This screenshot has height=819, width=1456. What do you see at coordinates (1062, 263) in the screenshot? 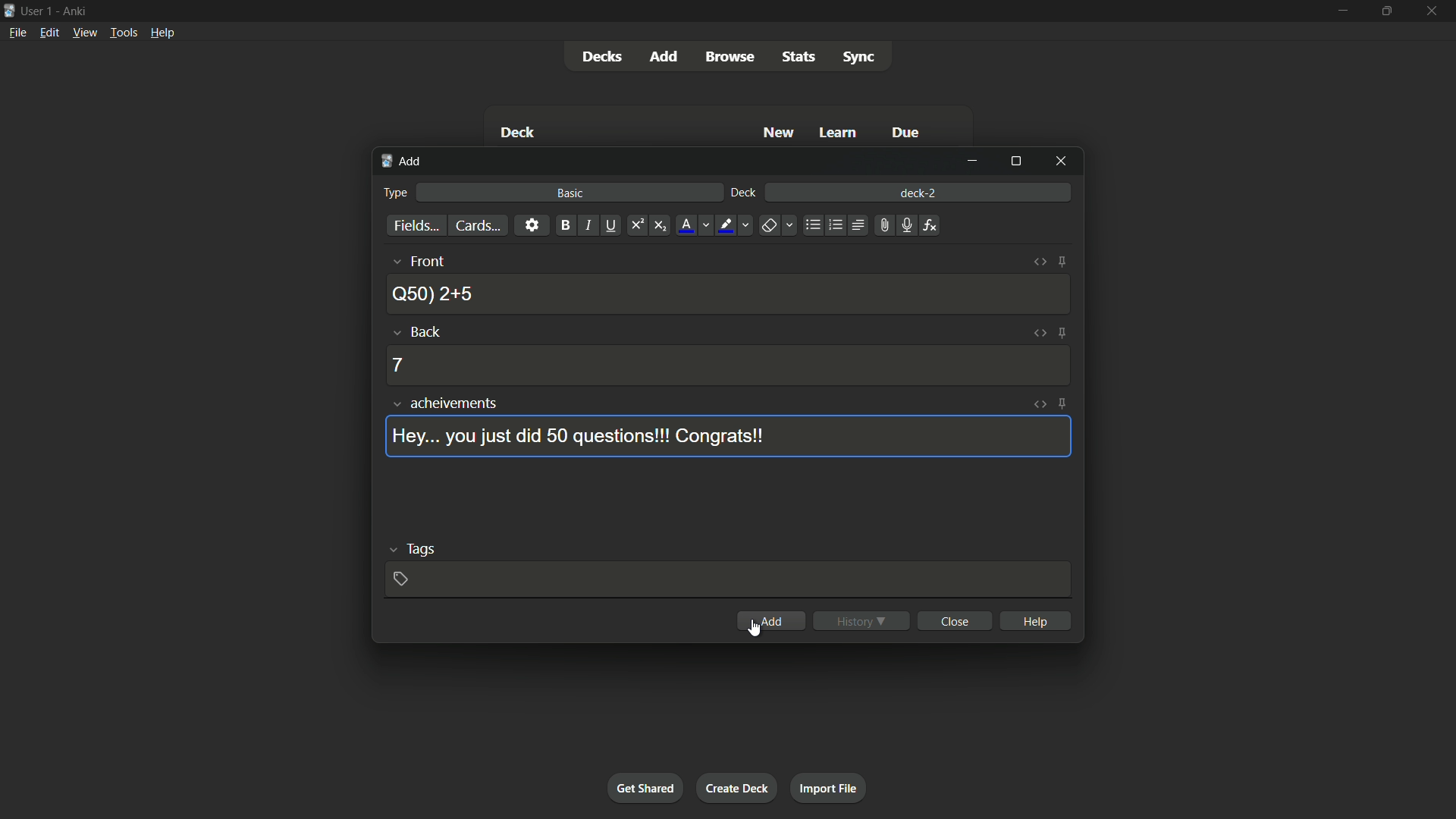
I see `toggle sticky` at bounding box center [1062, 263].